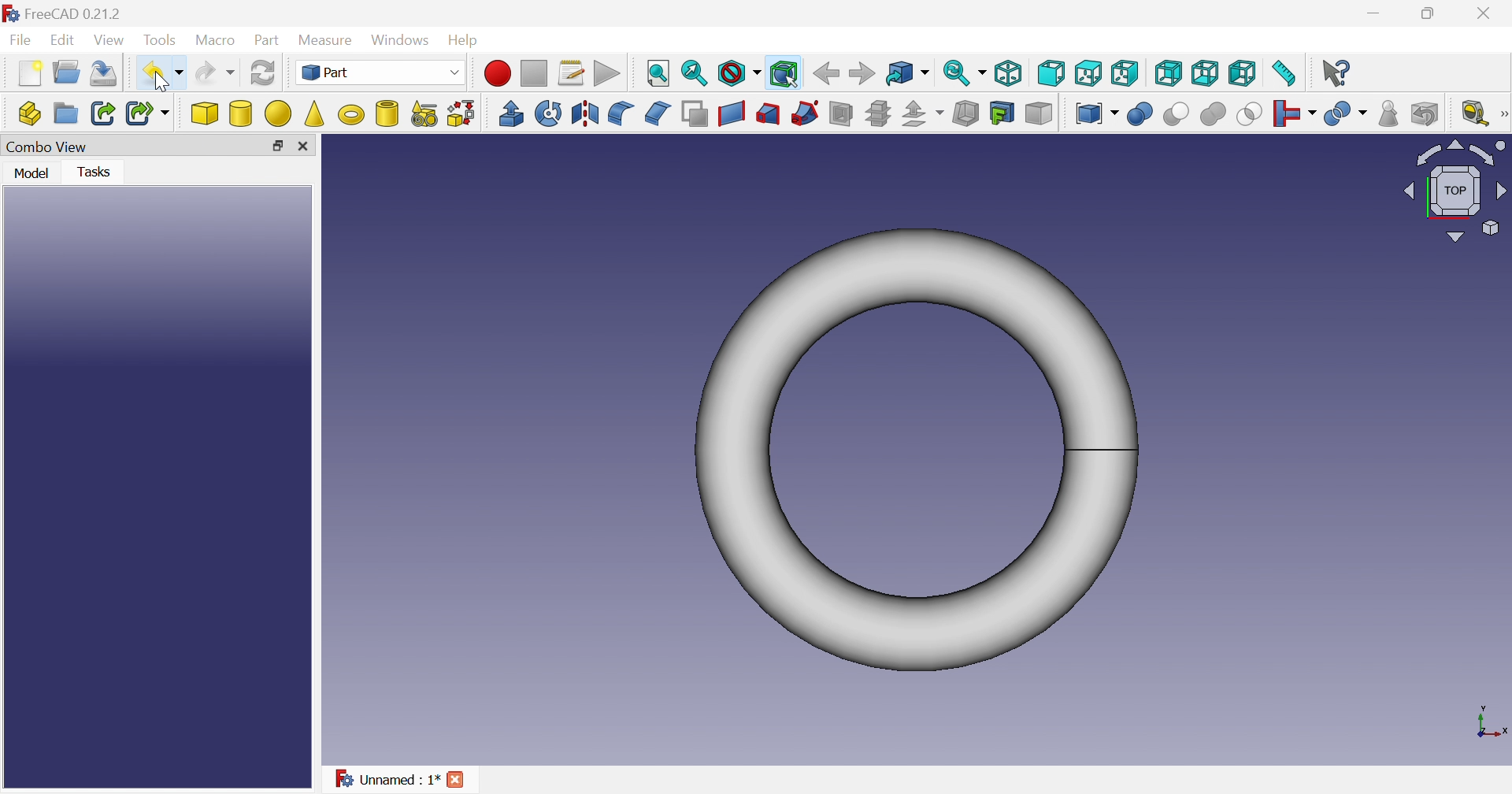 The height and width of the screenshot is (794, 1512). Describe the element at coordinates (1213, 114) in the screenshot. I see `Union` at that location.